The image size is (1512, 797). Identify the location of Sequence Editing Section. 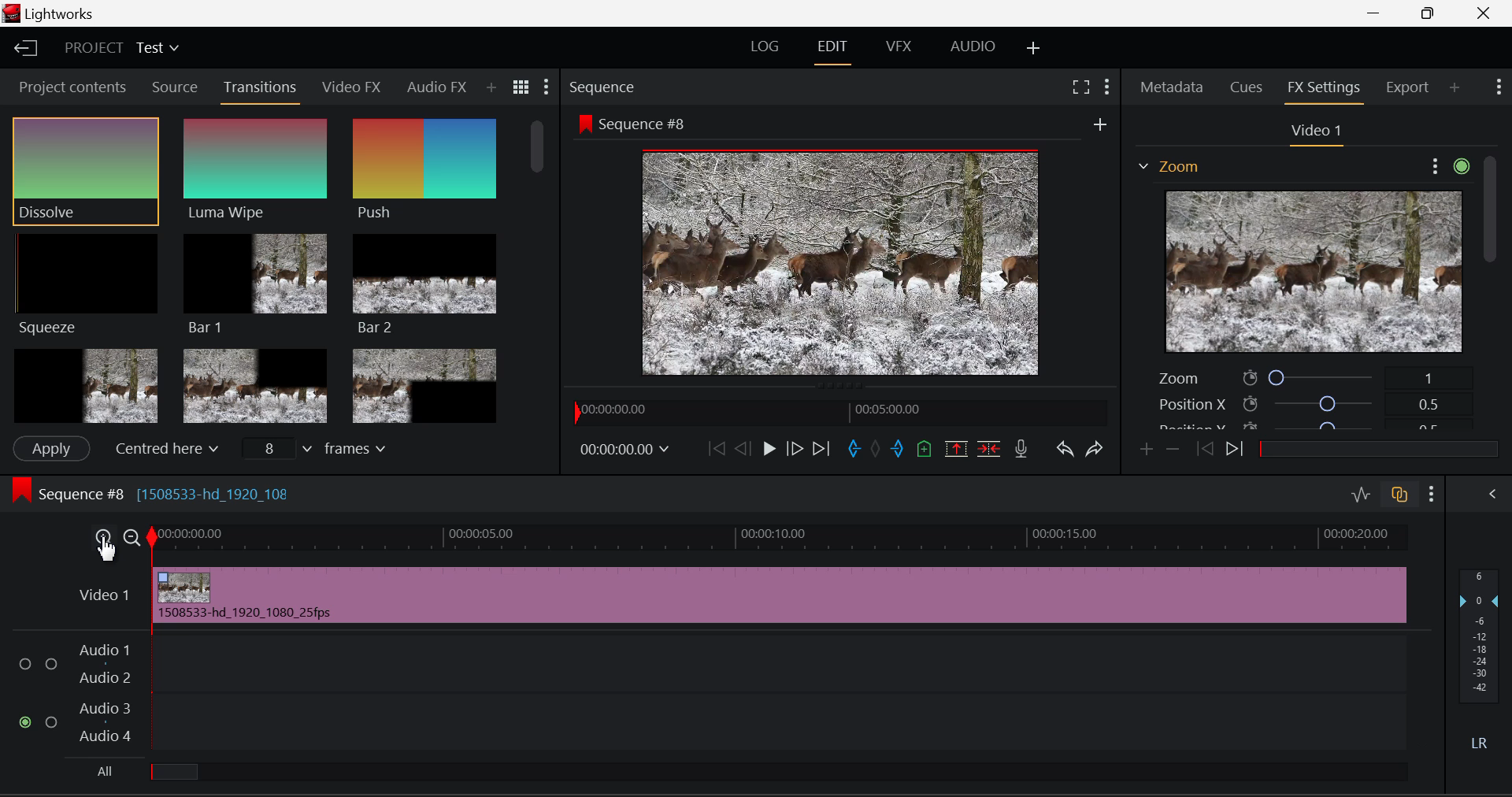
(66, 494).